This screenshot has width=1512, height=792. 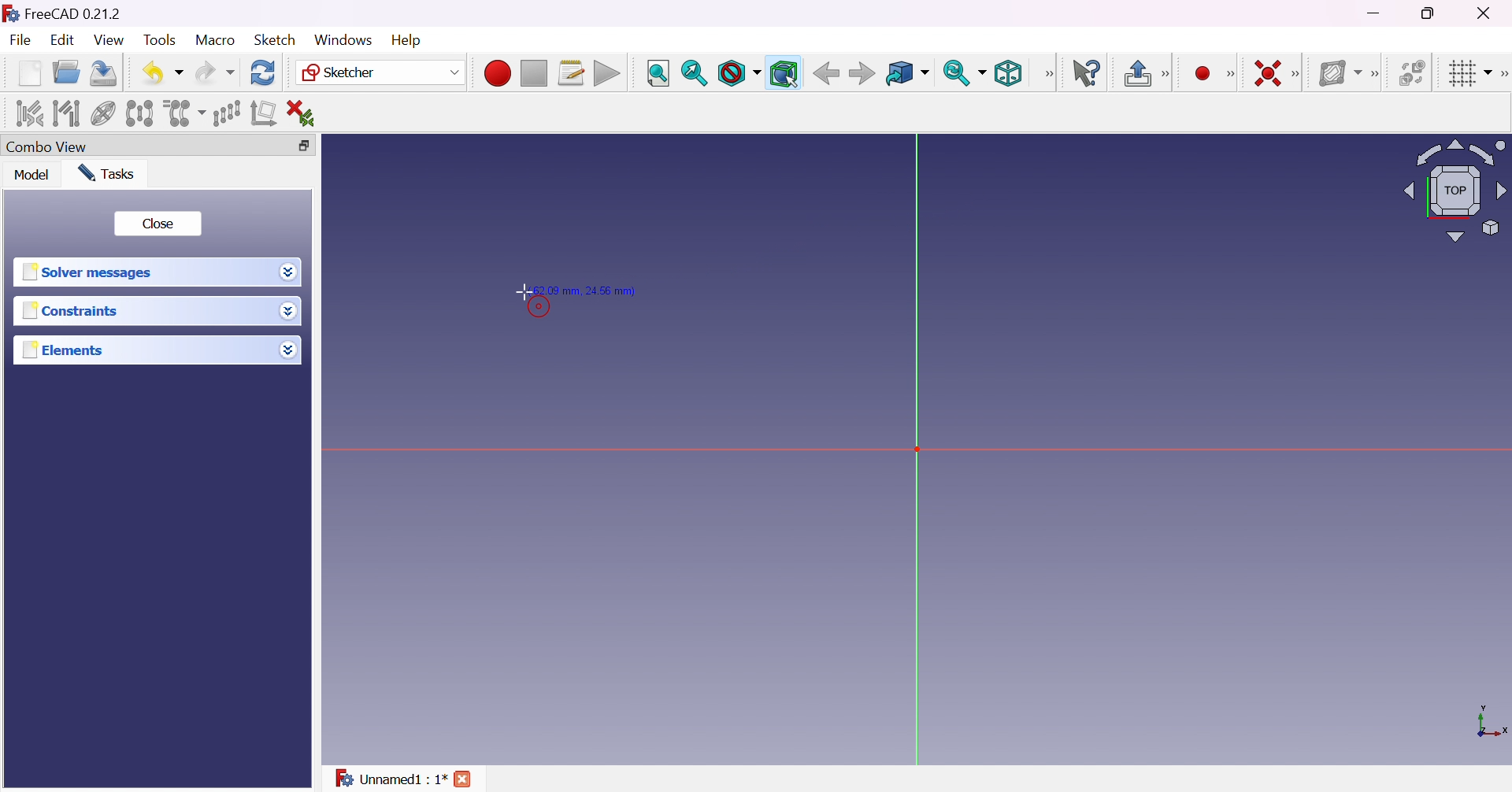 I want to click on Stop macro recording, so click(x=532, y=74).